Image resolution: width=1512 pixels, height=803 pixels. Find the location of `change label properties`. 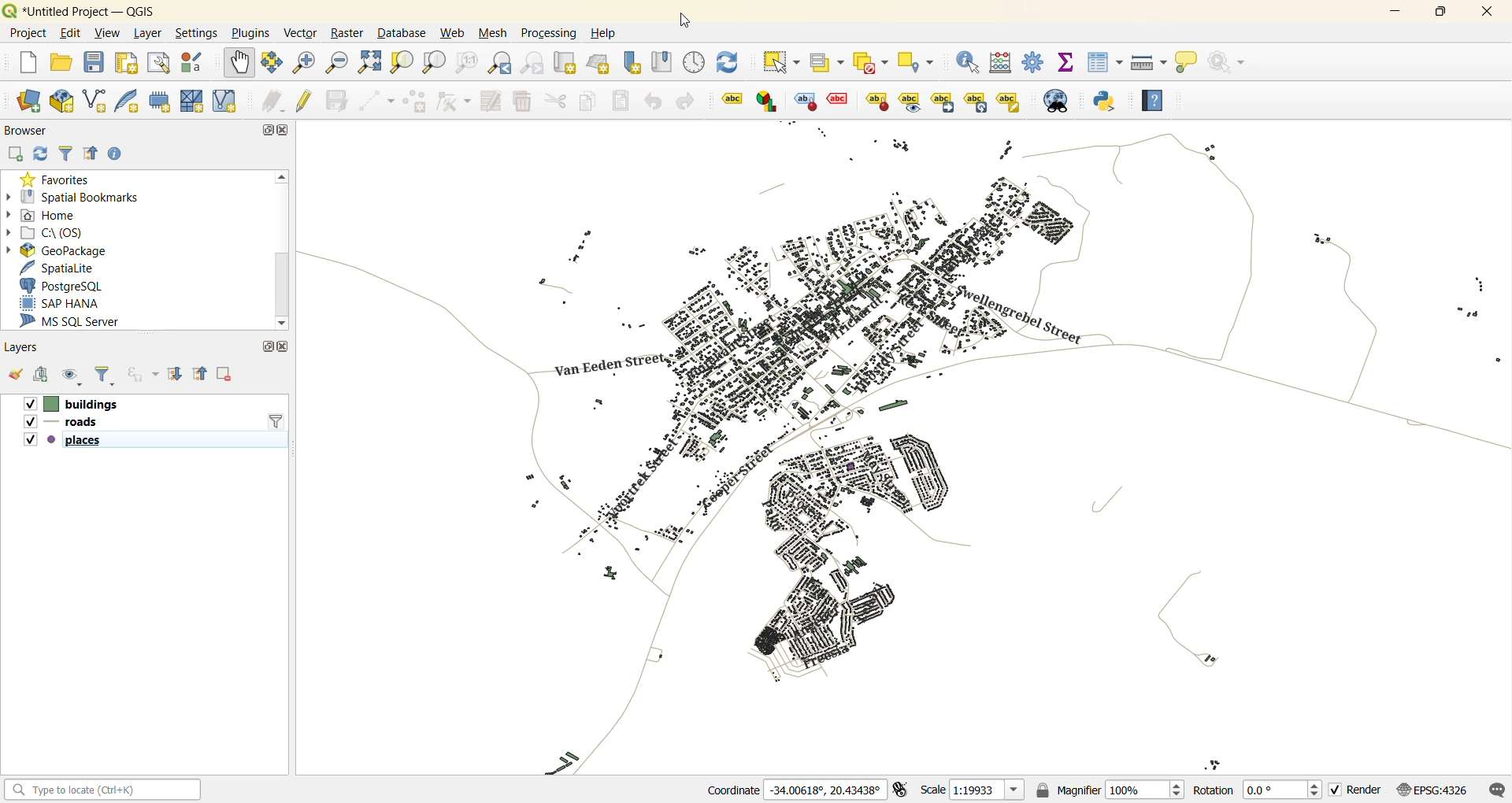

change label properties is located at coordinates (1010, 102).